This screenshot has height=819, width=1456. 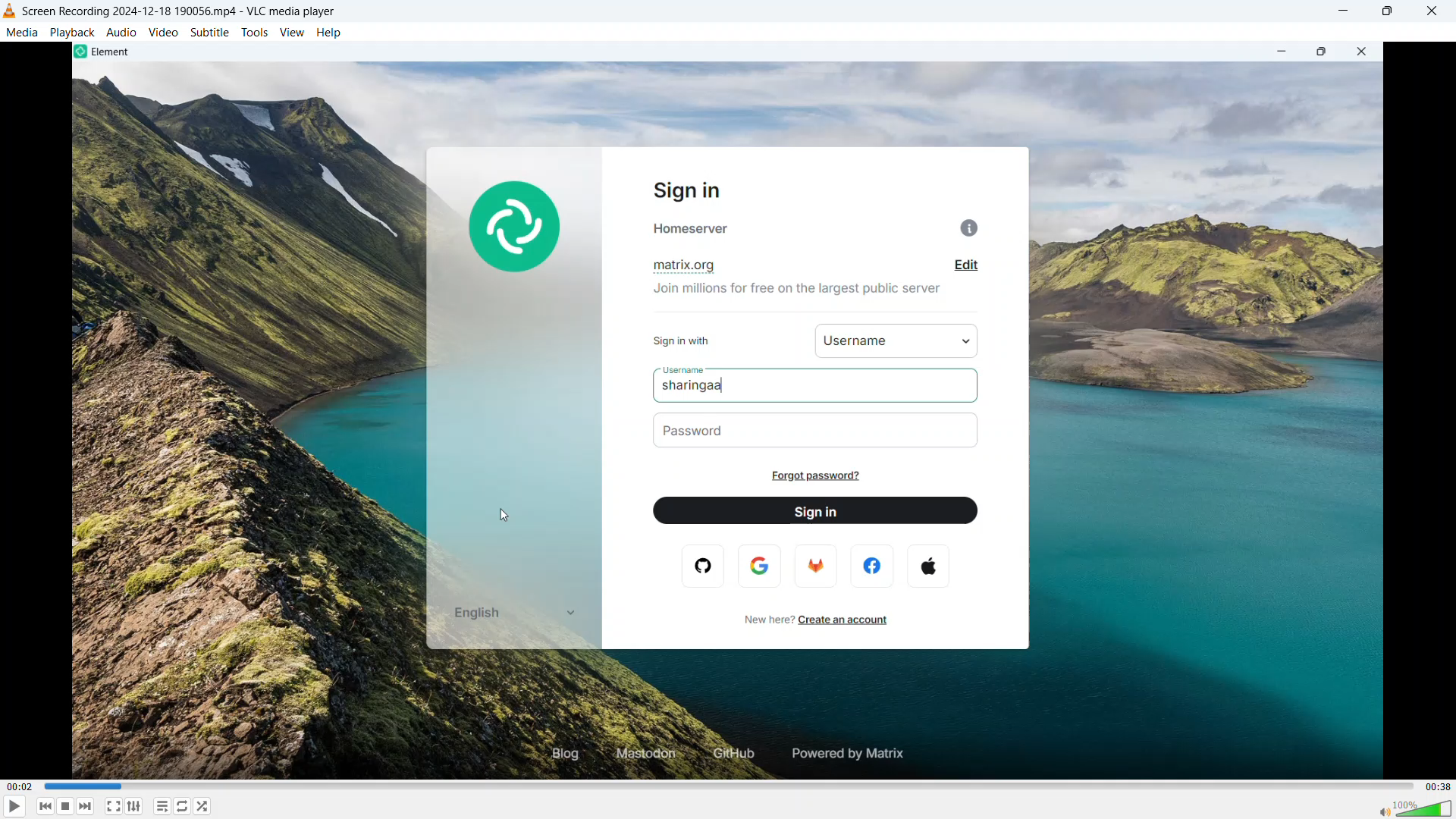 What do you see at coordinates (14, 806) in the screenshot?
I see `Play ` at bounding box center [14, 806].